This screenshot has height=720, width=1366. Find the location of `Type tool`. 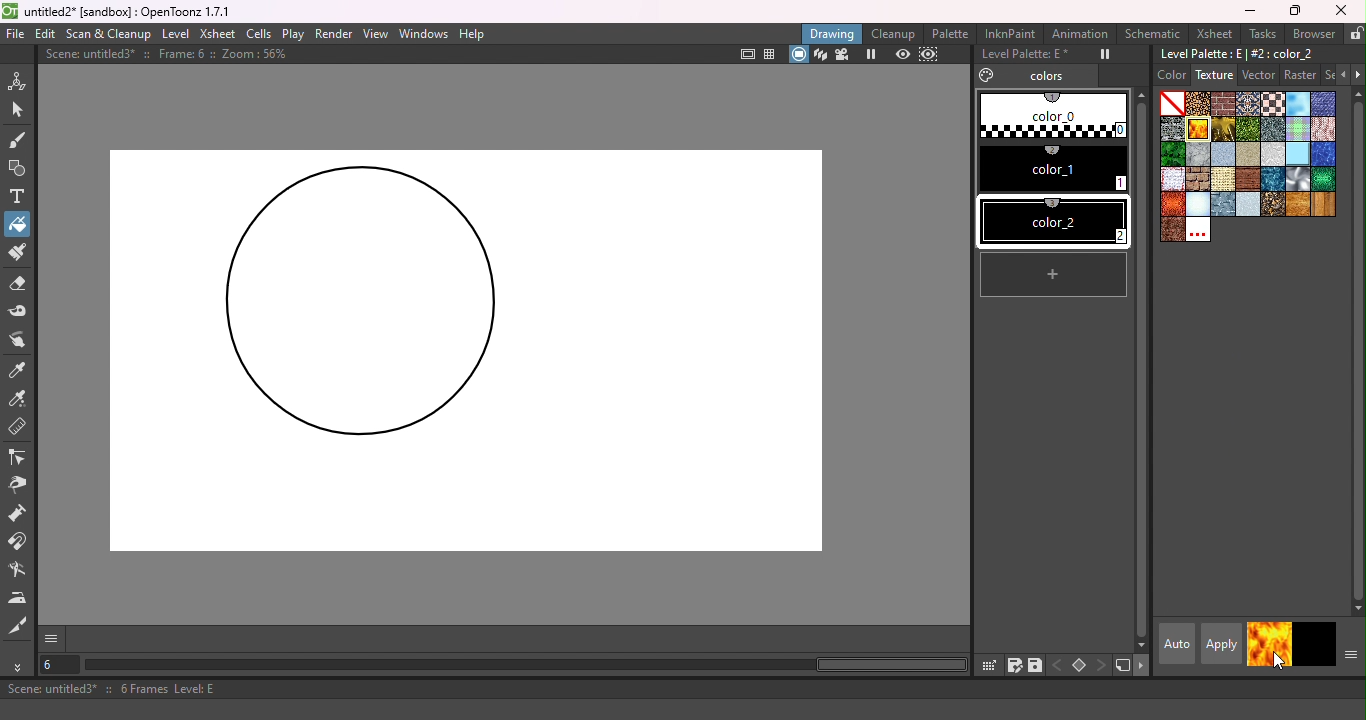

Type tool is located at coordinates (22, 196).